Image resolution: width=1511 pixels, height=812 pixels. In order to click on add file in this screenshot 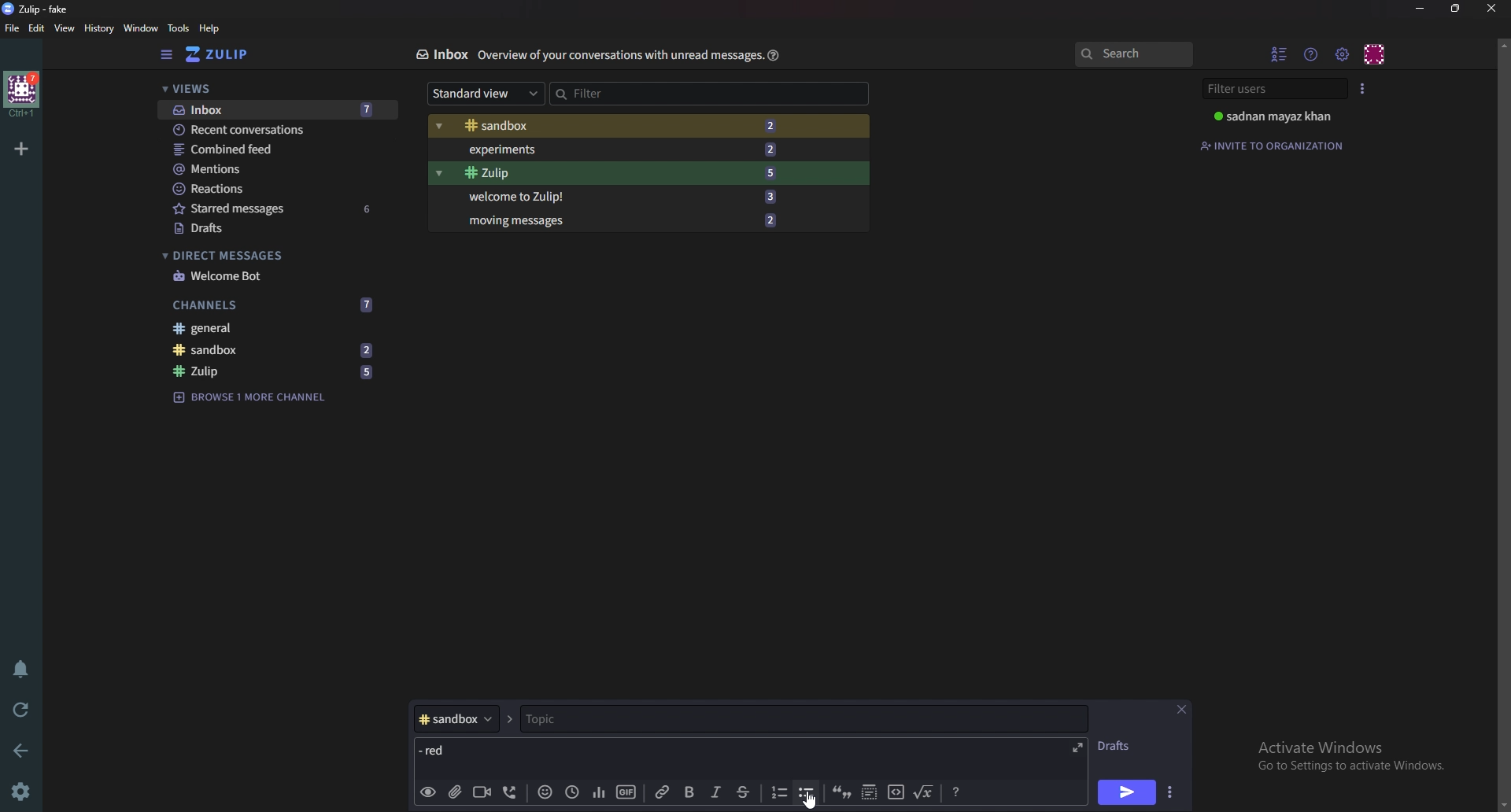, I will do `click(453, 792)`.